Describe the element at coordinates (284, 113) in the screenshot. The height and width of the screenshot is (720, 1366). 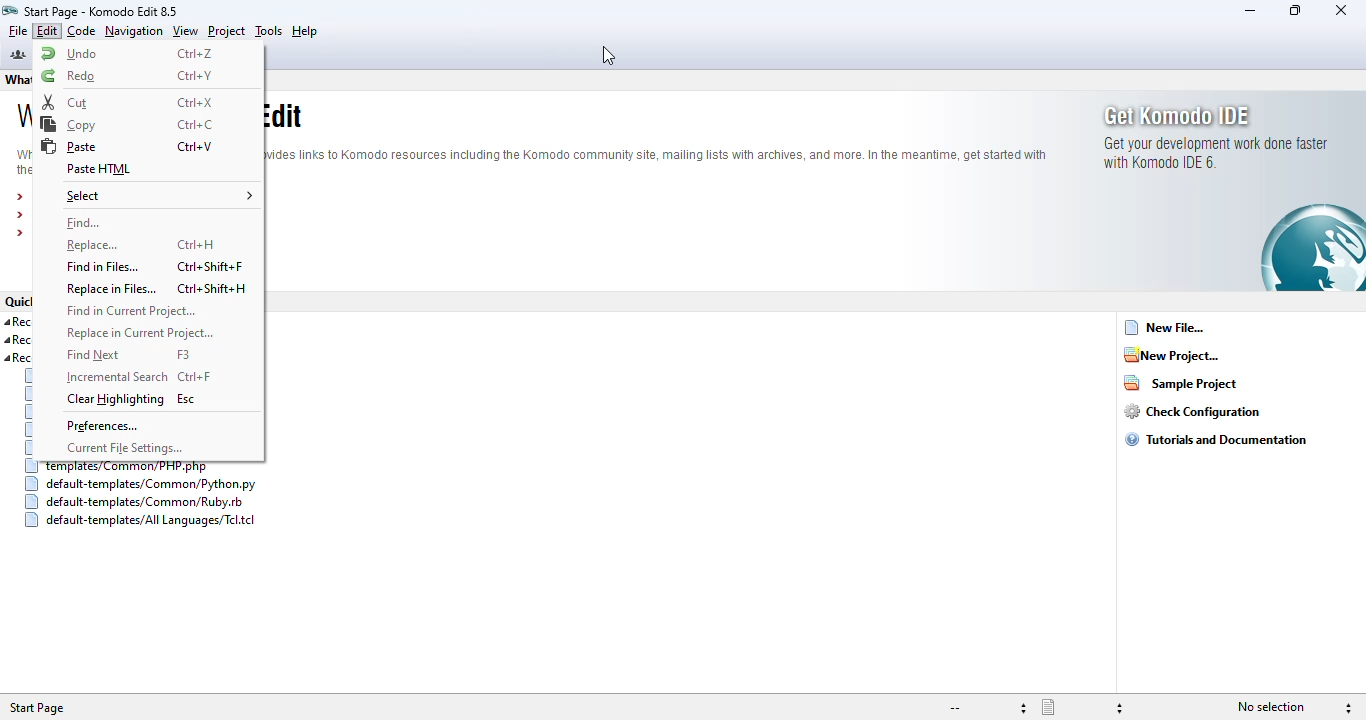
I see `text` at that location.